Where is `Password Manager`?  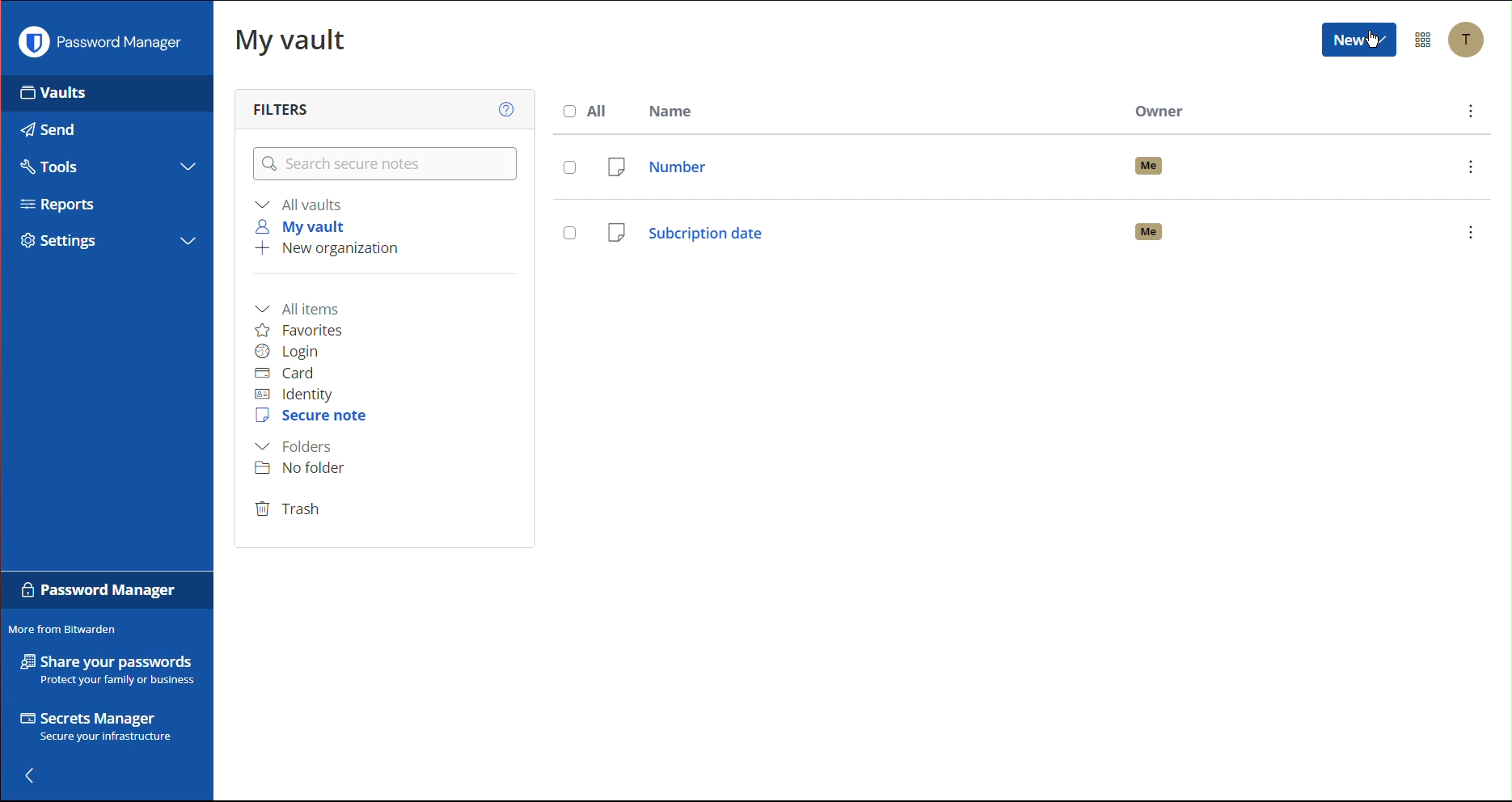
Password Manager is located at coordinates (99, 46).